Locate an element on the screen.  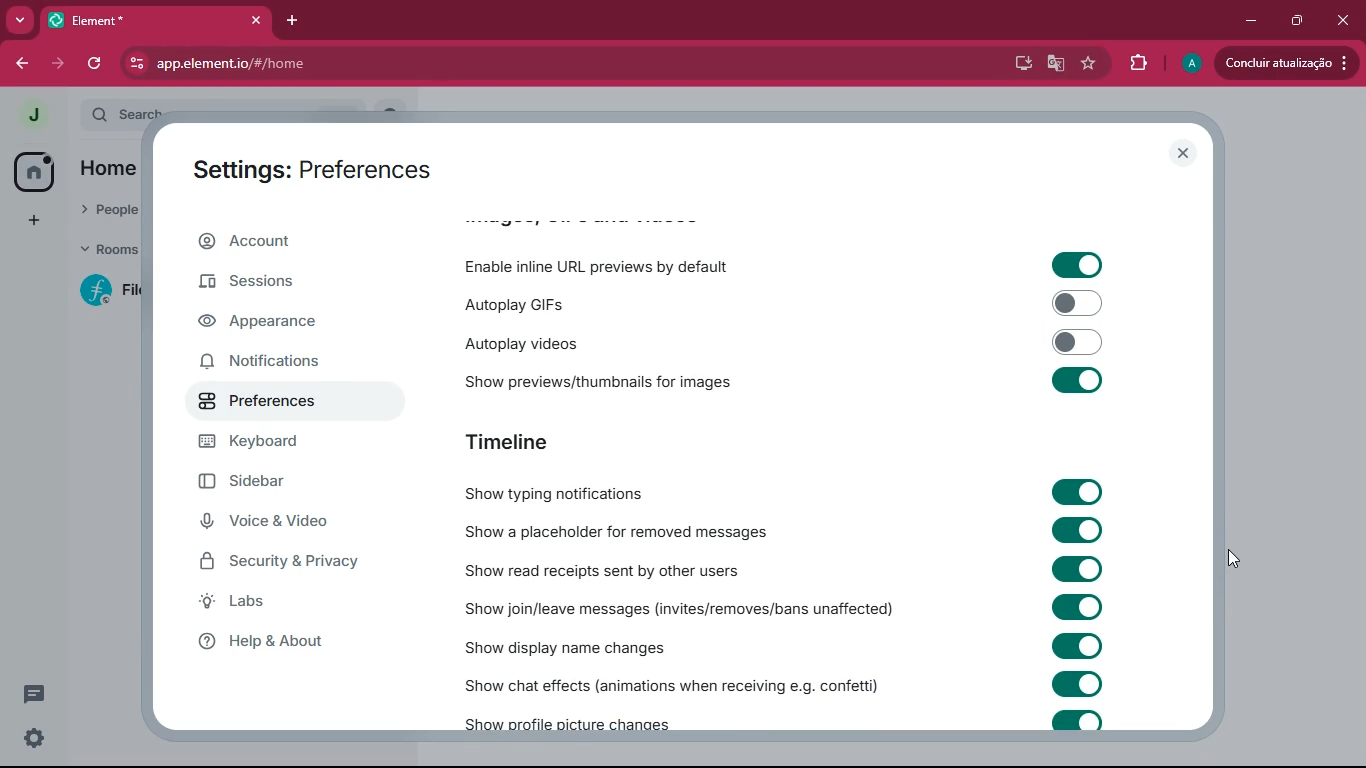
close is located at coordinates (1345, 23).